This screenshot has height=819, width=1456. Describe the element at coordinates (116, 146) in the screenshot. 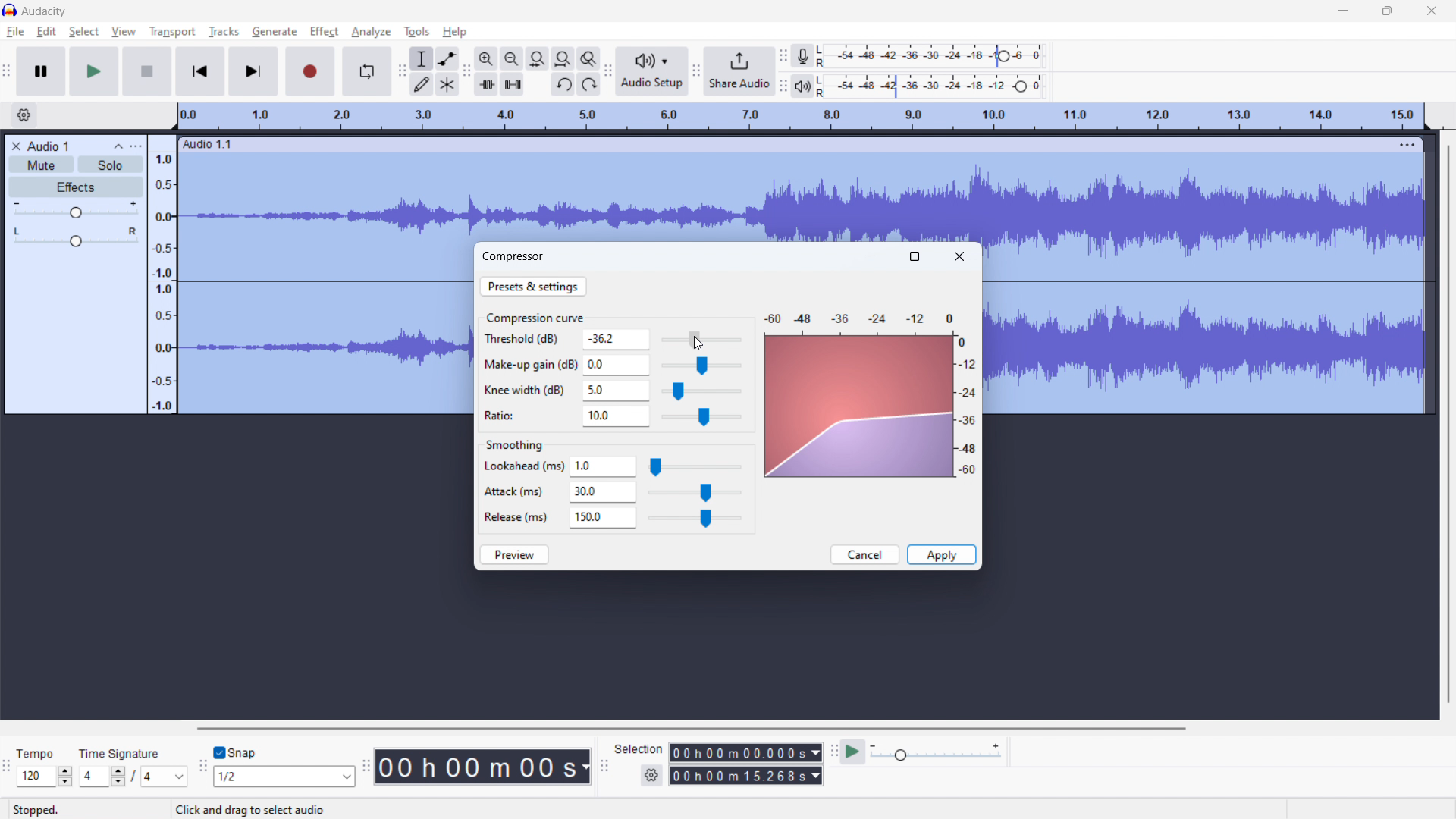

I see `collapse` at that location.